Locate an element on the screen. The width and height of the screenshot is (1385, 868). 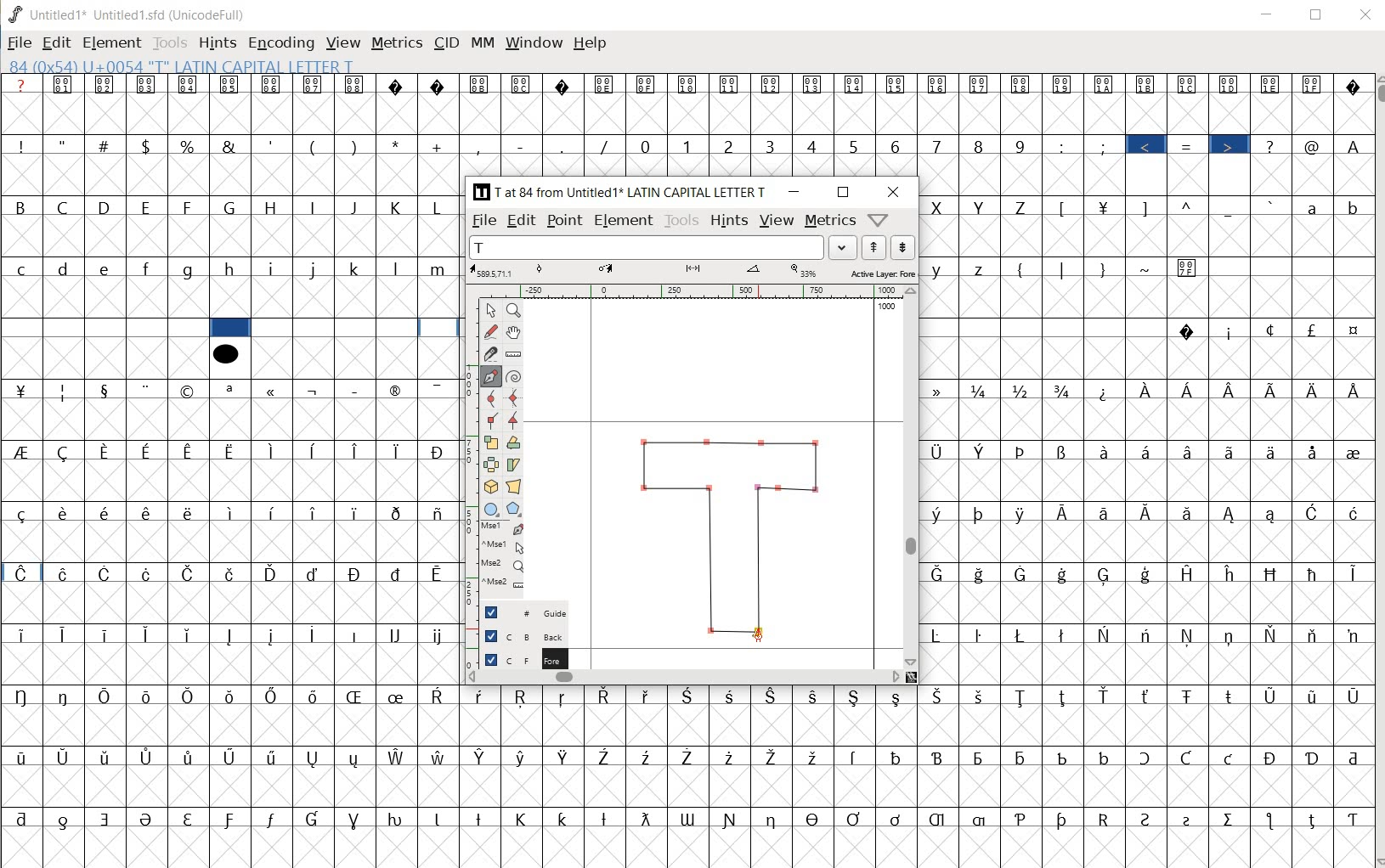
? is located at coordinates (24, 85).